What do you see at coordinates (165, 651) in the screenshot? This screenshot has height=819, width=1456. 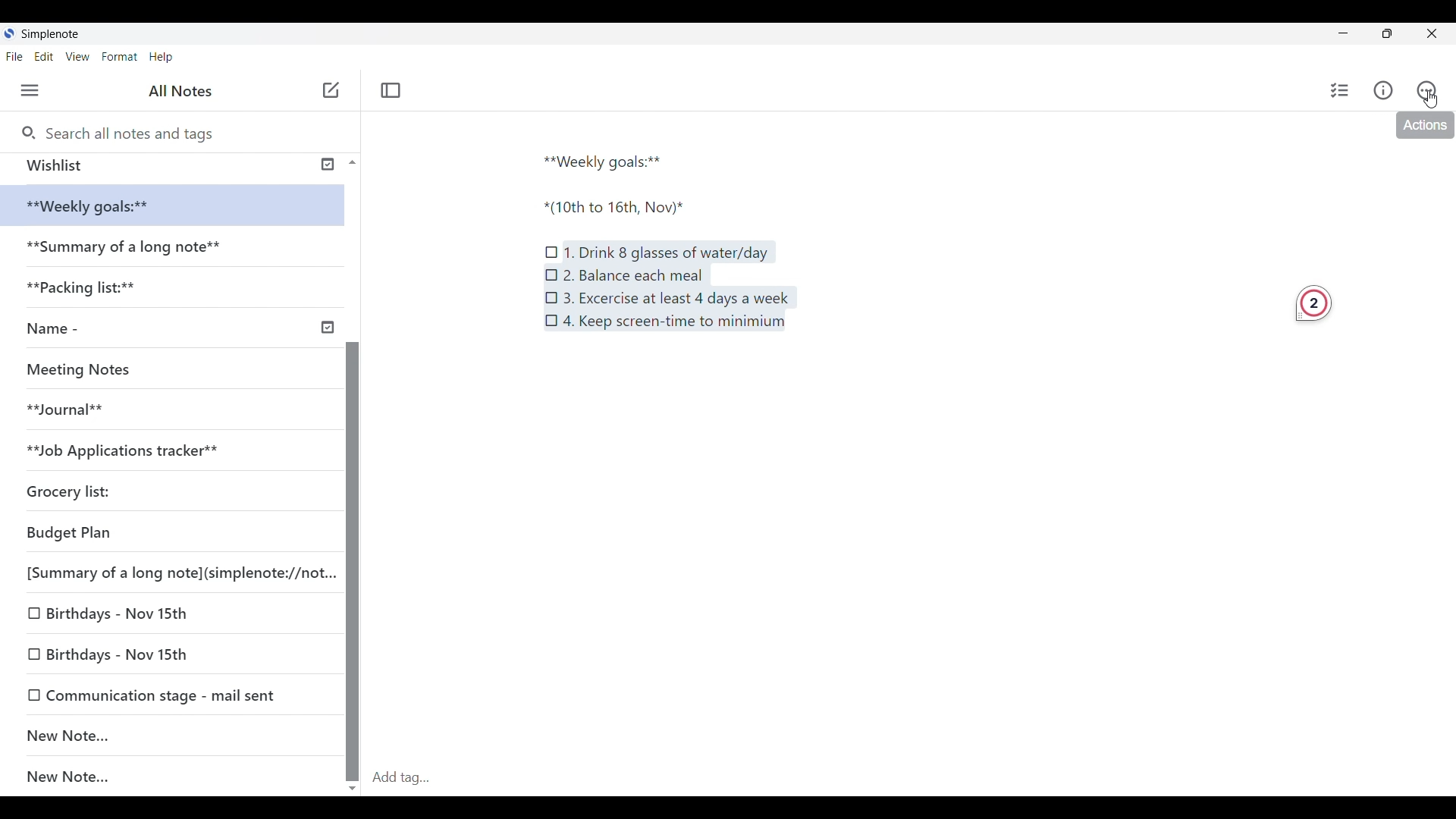 I see `Birthdays - Nov 15th` at bounding box center [165, 651].